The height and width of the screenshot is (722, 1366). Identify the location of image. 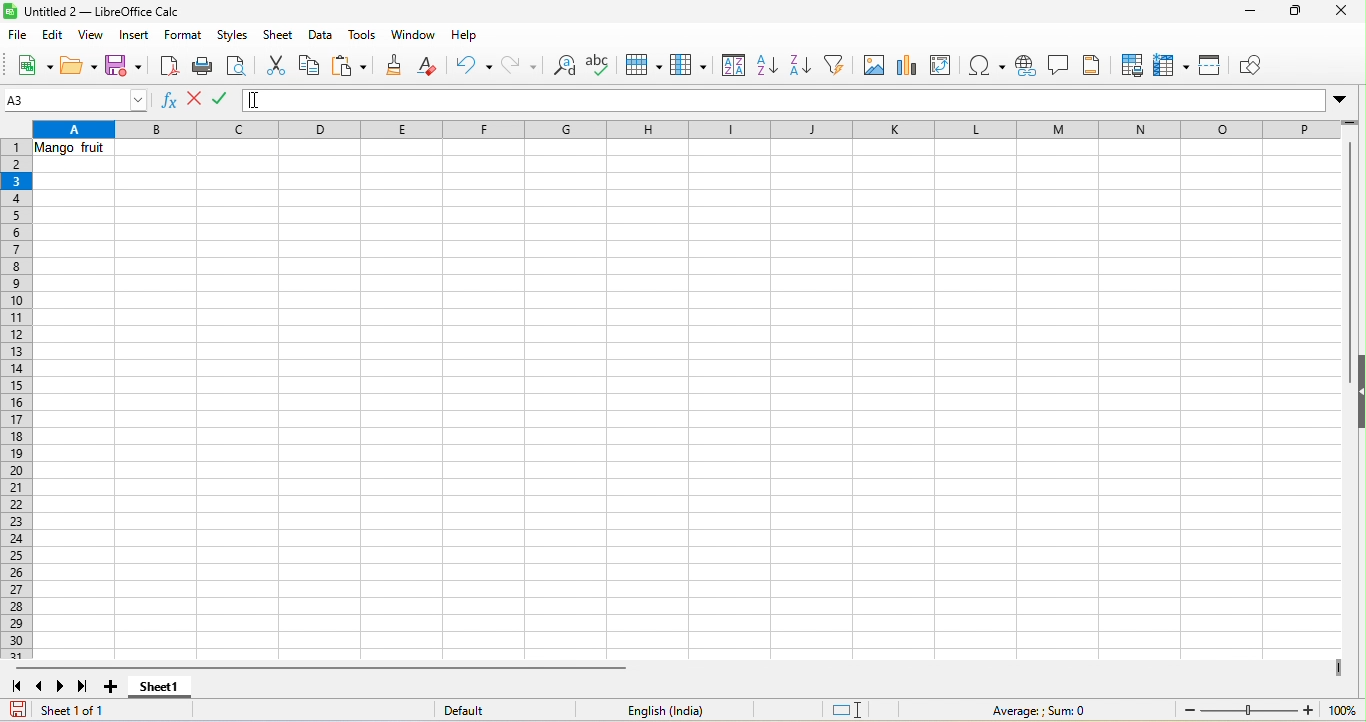
(873, 67).